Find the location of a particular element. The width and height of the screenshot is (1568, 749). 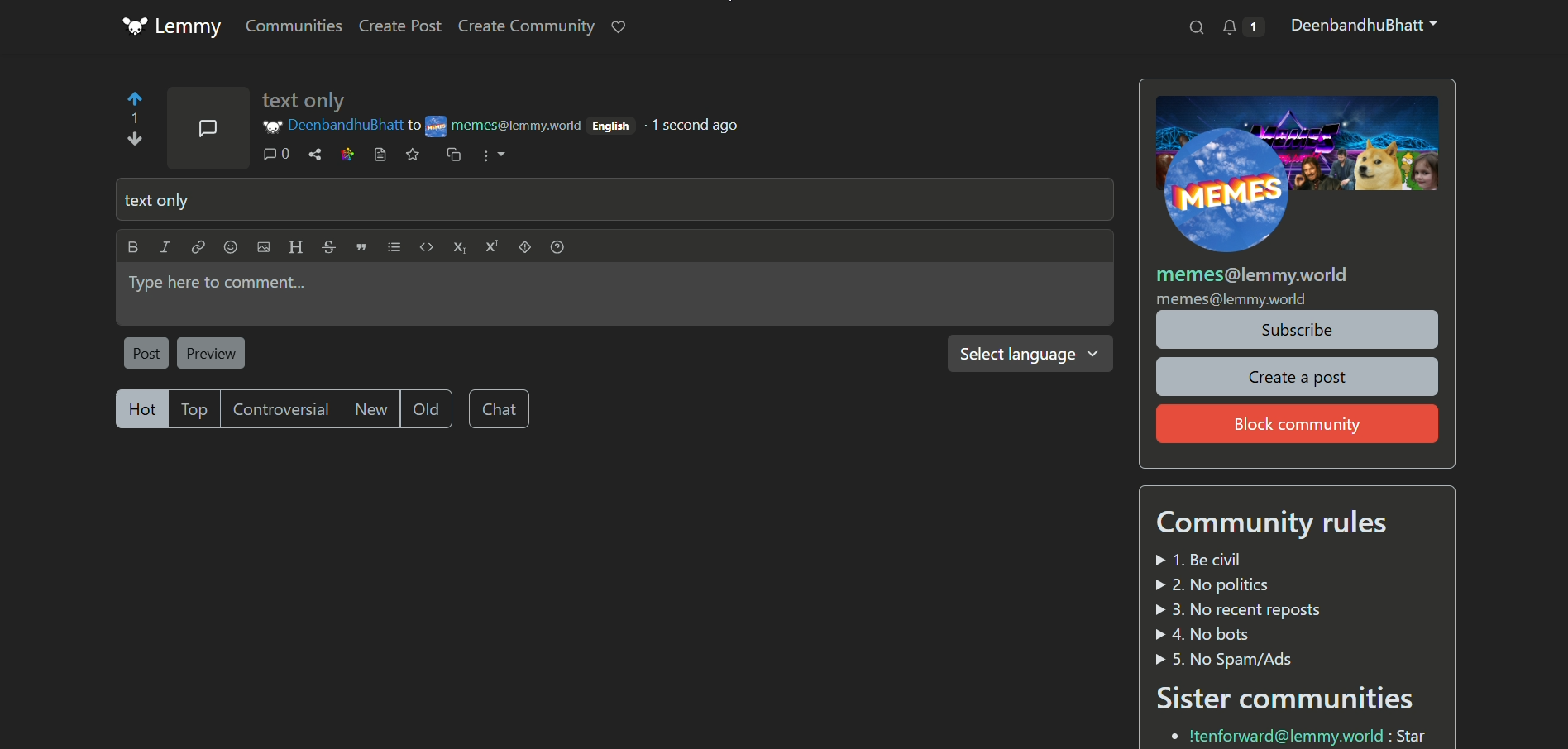

cross-post is located at coordinates (452, 154).